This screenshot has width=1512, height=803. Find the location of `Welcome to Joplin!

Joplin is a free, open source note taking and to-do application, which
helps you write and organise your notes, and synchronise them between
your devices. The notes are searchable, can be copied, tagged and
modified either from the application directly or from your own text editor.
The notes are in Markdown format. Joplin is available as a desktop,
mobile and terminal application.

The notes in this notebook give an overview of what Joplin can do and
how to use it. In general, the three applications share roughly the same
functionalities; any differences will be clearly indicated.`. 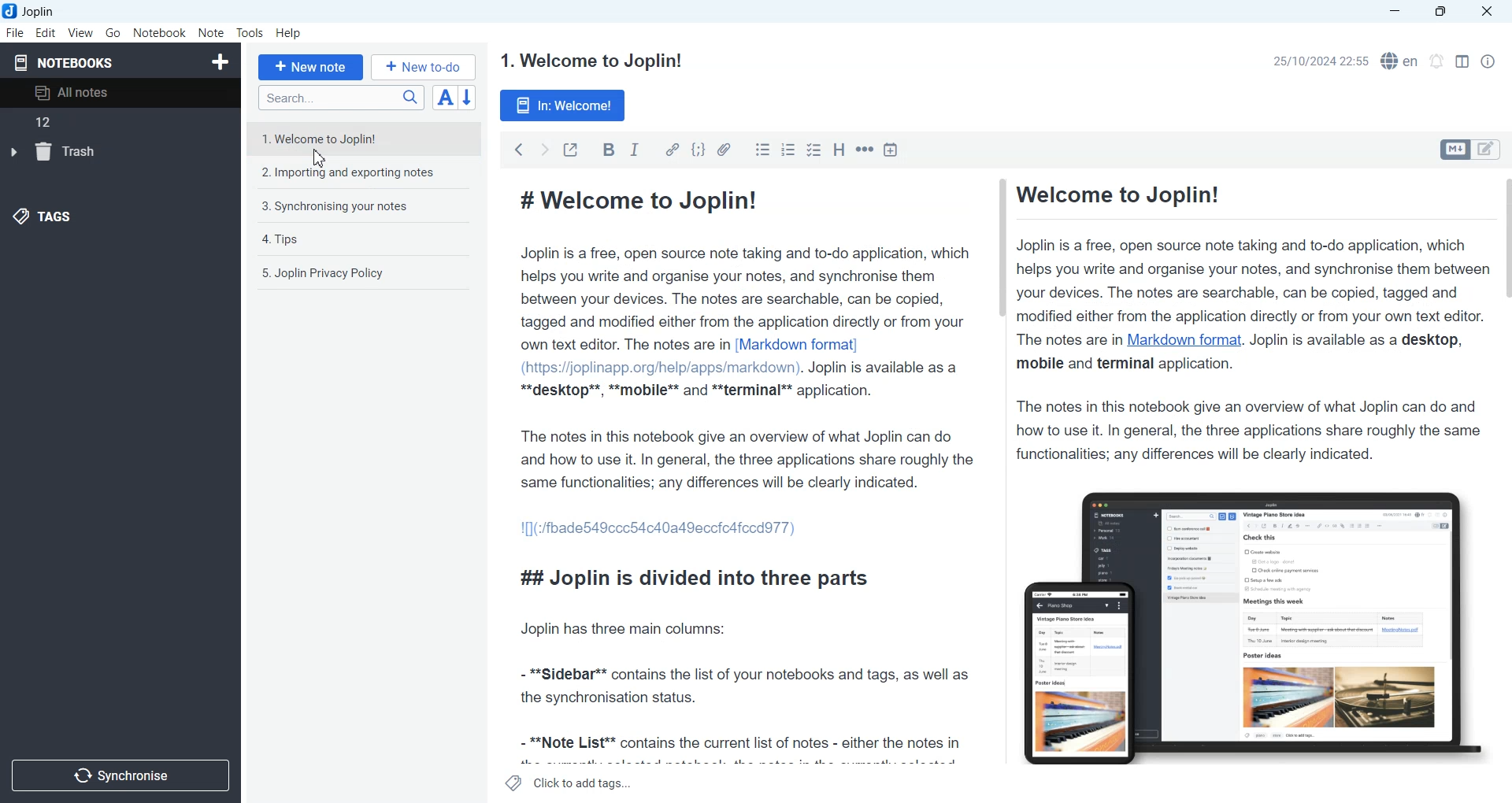

Welcome to Joplin!

Joplin is a free, open source note taking and to-do application, which
helps you write and organise your notes, and synchronise them between
your devices. The notes are searchable, can be copied, tagged and
modified either from the application directly or from your own text editor.
The notes are in Markdown format. Joplin is available as a desktop,
mobile and terminal application.

The notes in this notebook give an overview of what Joplin can do and
how to use it. In general, the three applications share roughly the same
functionalities; any differences will be clearly indicated. is located at coordinates (1247, 322).